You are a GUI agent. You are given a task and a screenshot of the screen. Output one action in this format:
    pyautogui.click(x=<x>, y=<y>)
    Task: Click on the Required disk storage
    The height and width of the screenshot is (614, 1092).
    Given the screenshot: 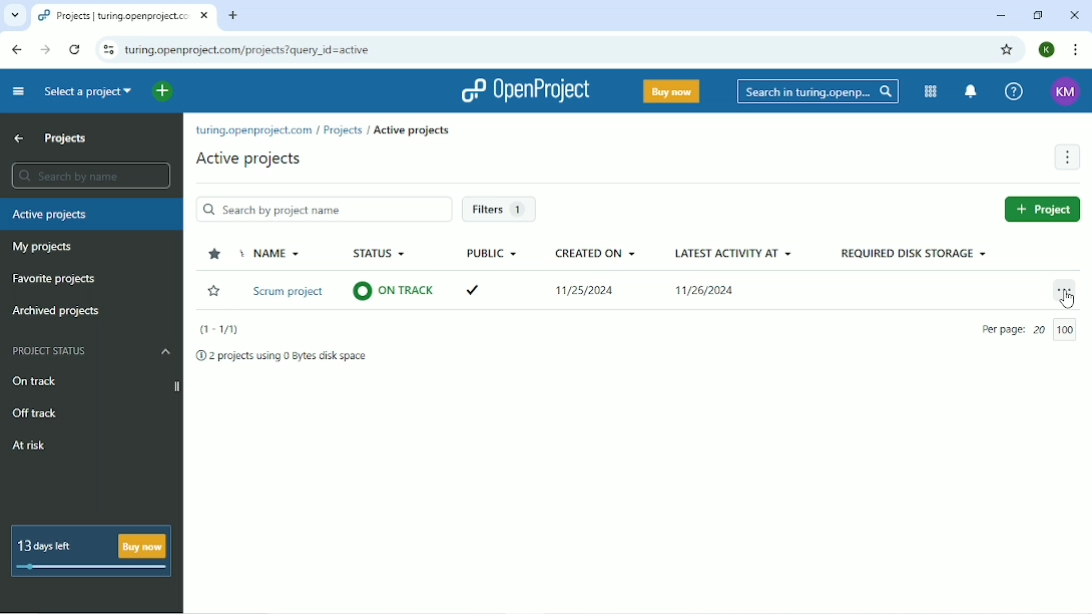 What is the action you would take?
    pyautogui.click(x=912, y=254)
    